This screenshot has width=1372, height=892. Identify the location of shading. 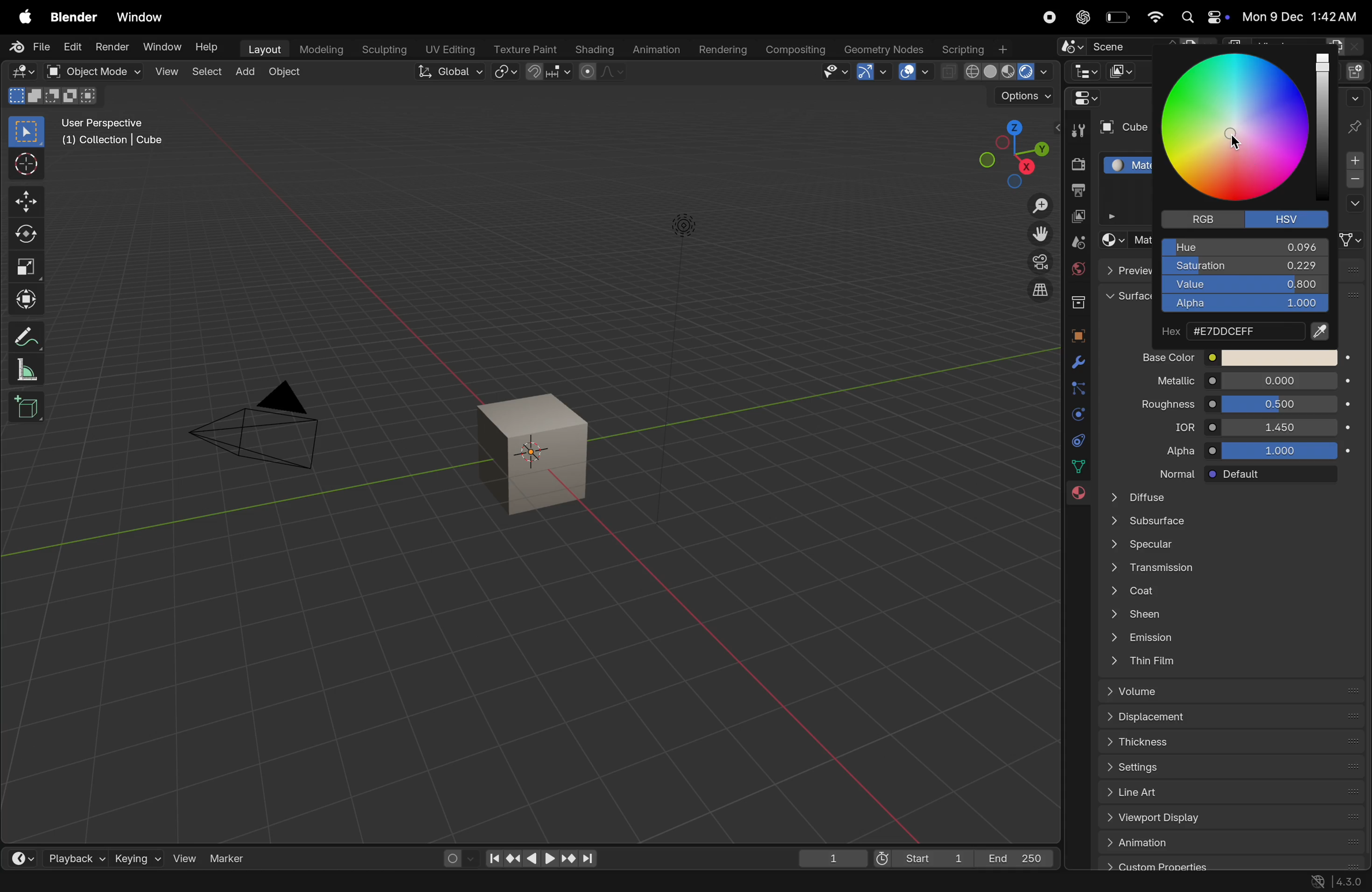
(594, 50).